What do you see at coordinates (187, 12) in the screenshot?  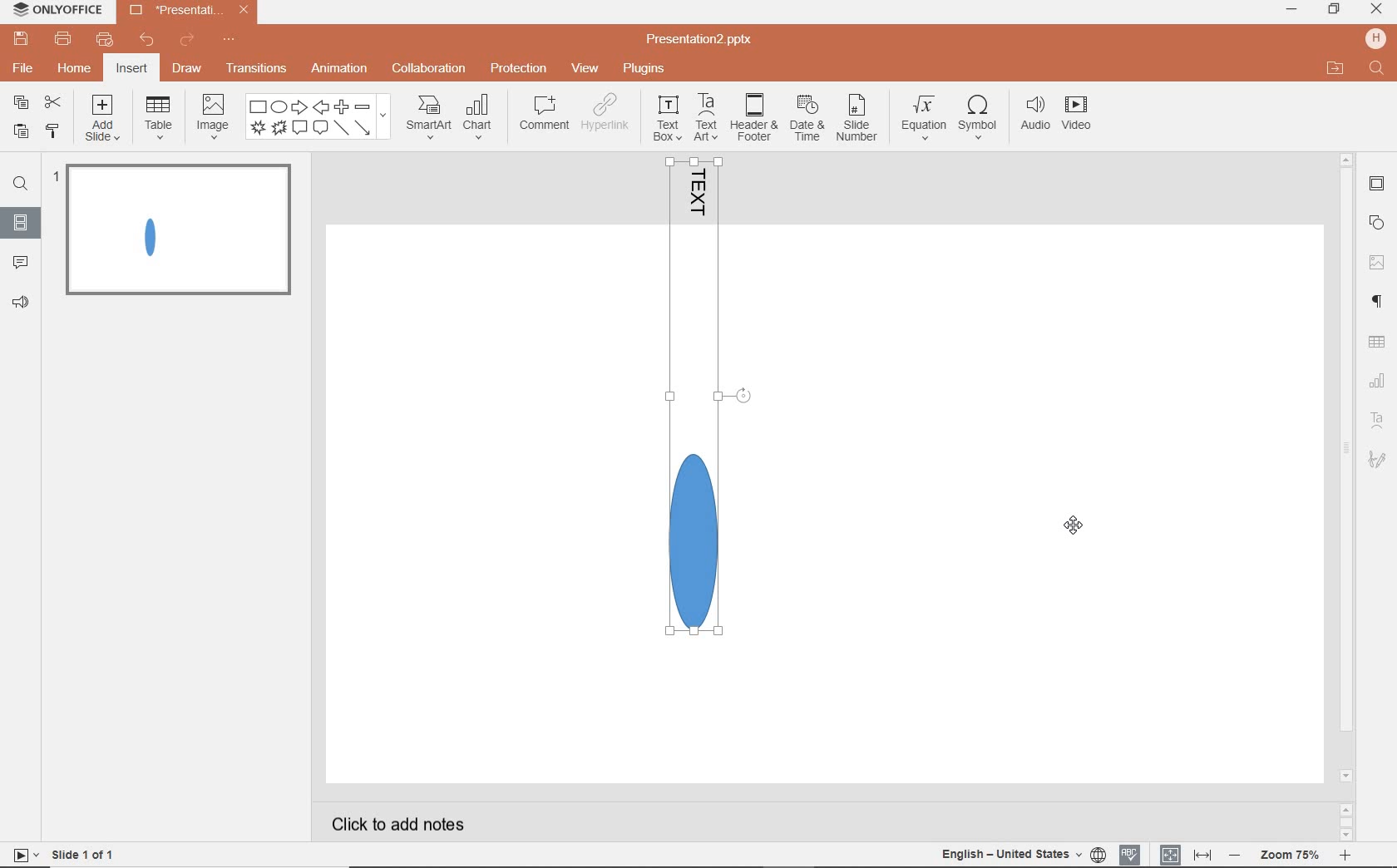 I see `Presentation2.pptx` at bounding box center [187, 12].